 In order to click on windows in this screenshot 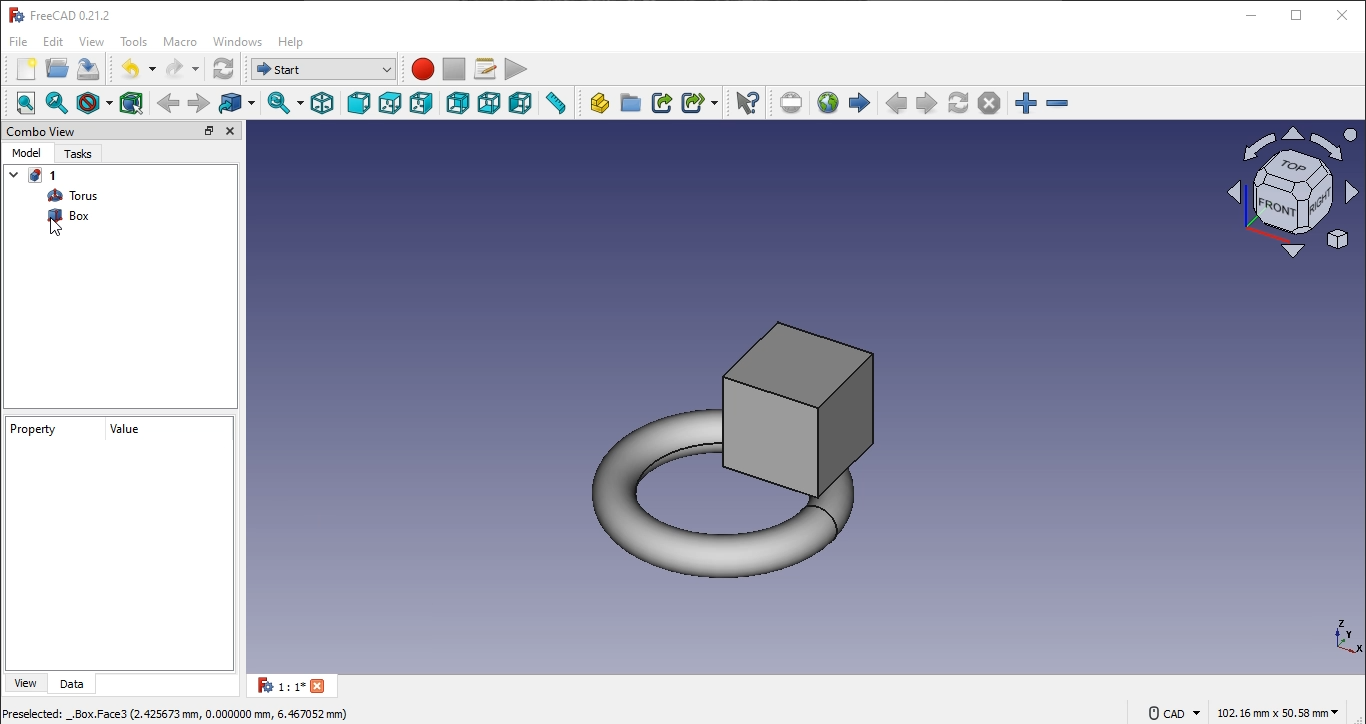, I will do `click(239, 43)`.